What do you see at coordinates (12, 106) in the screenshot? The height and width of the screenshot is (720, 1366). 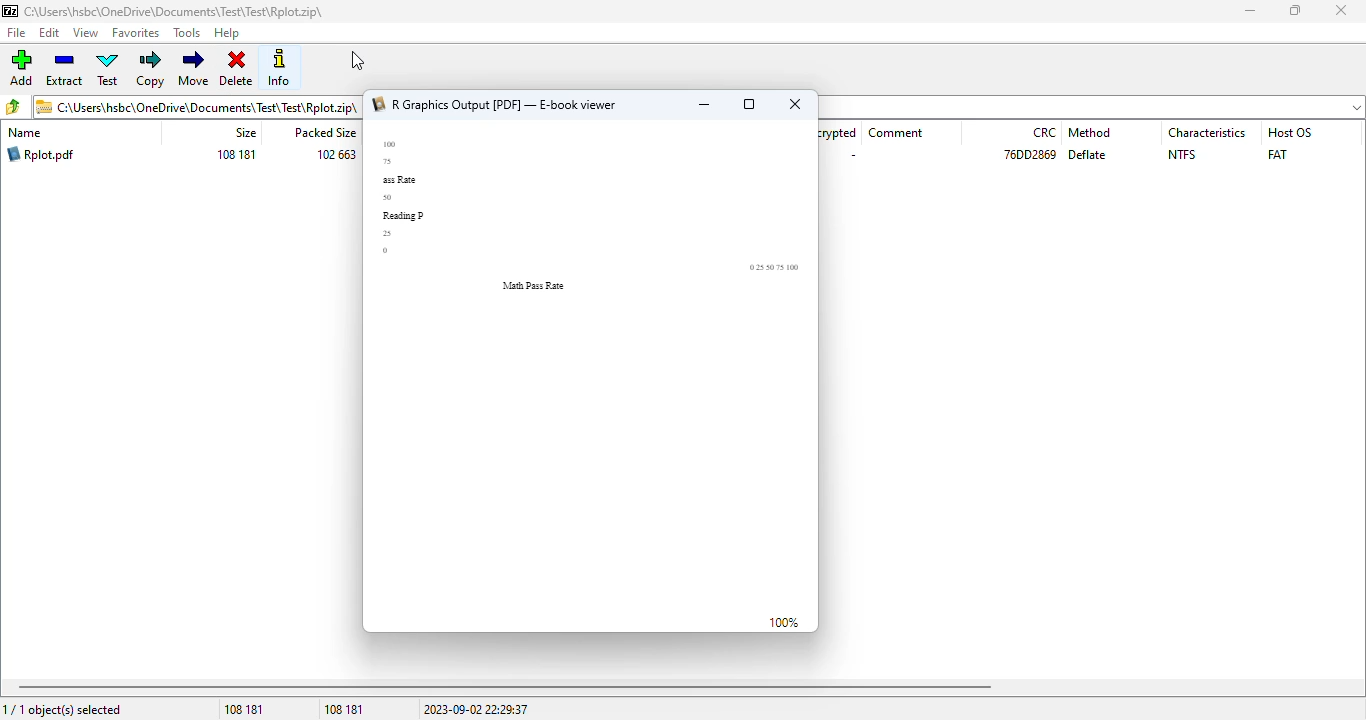 I see `browse folders` at bounding box center [12, 106].